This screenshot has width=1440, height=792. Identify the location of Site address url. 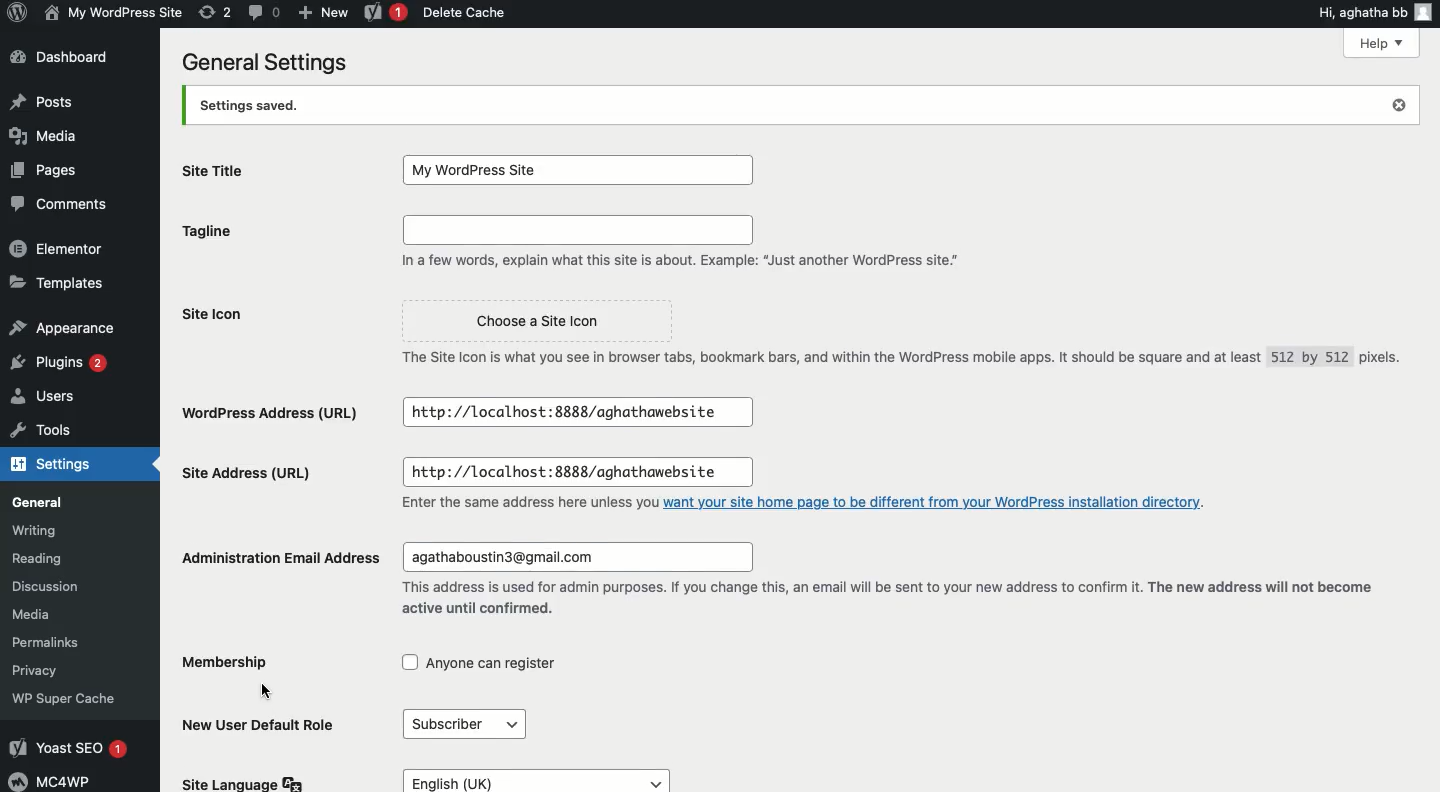
(251, 471).